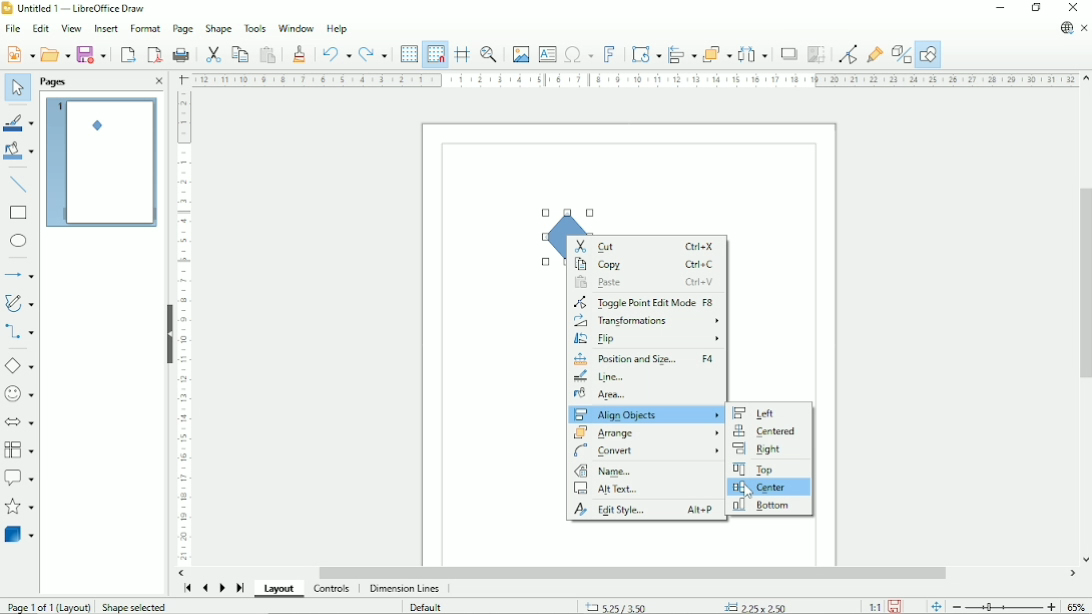 This screenshot has height=614, width=1092. I want to click on Select, so click(17, 88).